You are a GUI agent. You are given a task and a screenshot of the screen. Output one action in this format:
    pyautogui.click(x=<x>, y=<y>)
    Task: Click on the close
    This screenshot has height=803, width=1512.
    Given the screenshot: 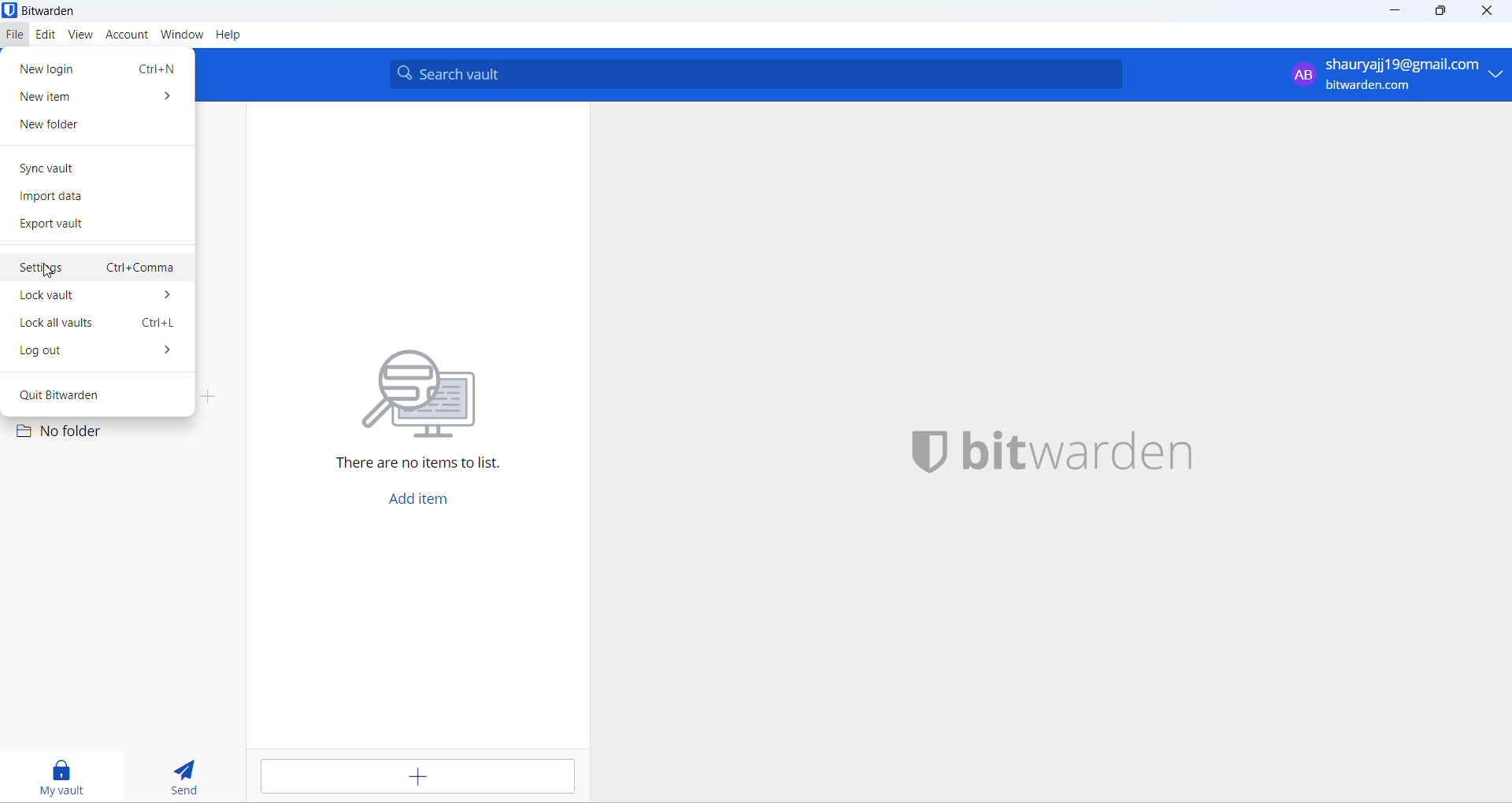 What is the action you would take?
    pyautogui.click(x=1486, y=12)
    